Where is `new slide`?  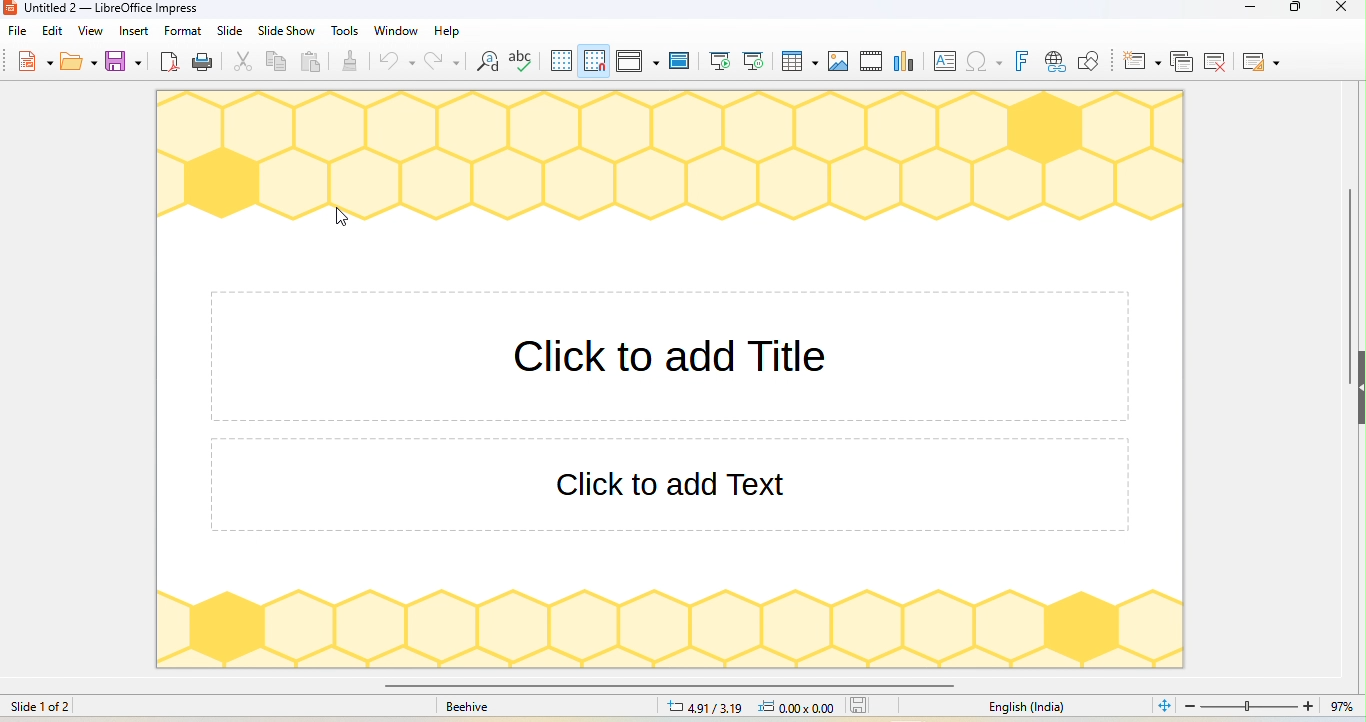 new slide is located at coordinates (1144, 61).